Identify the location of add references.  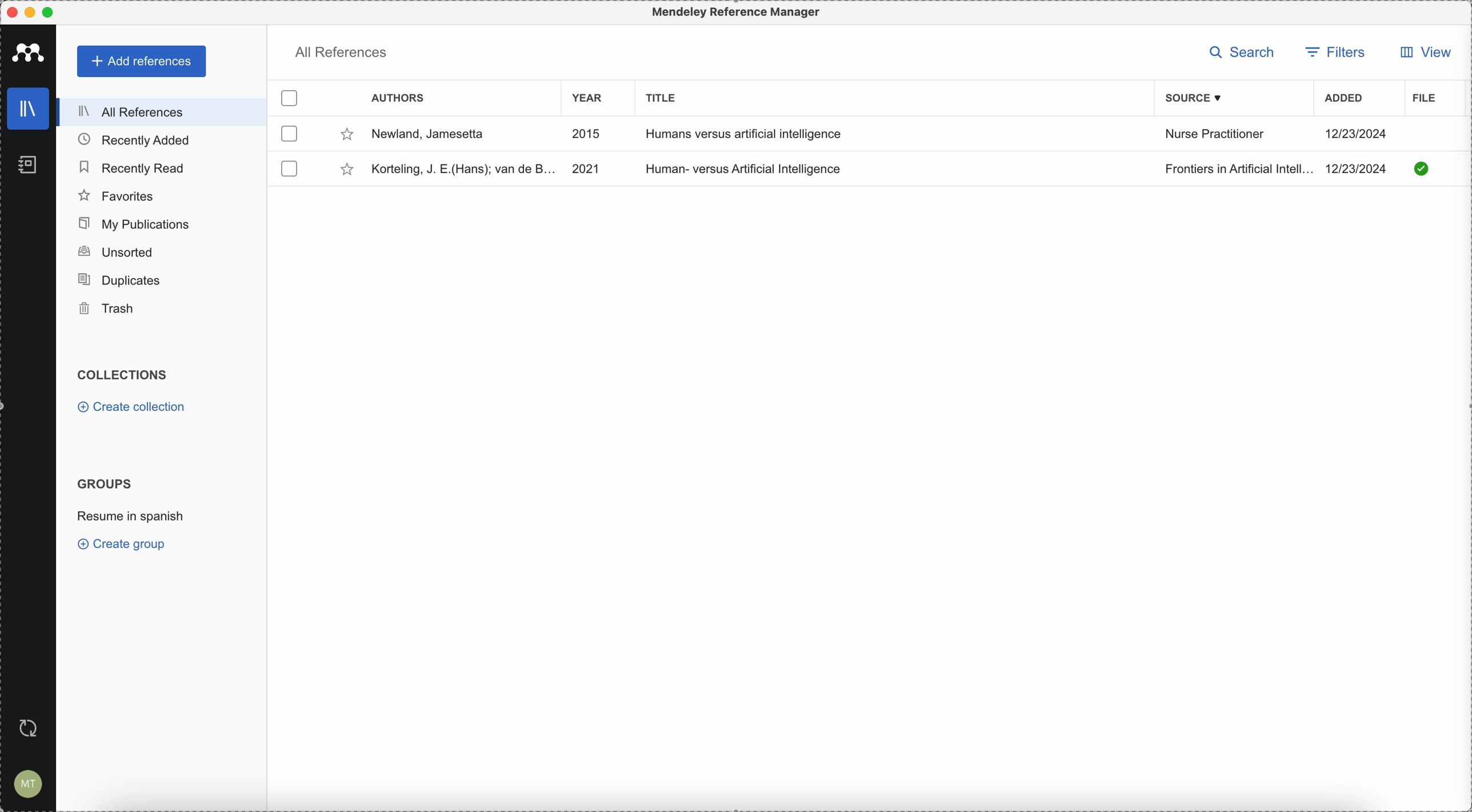
(142, 62).